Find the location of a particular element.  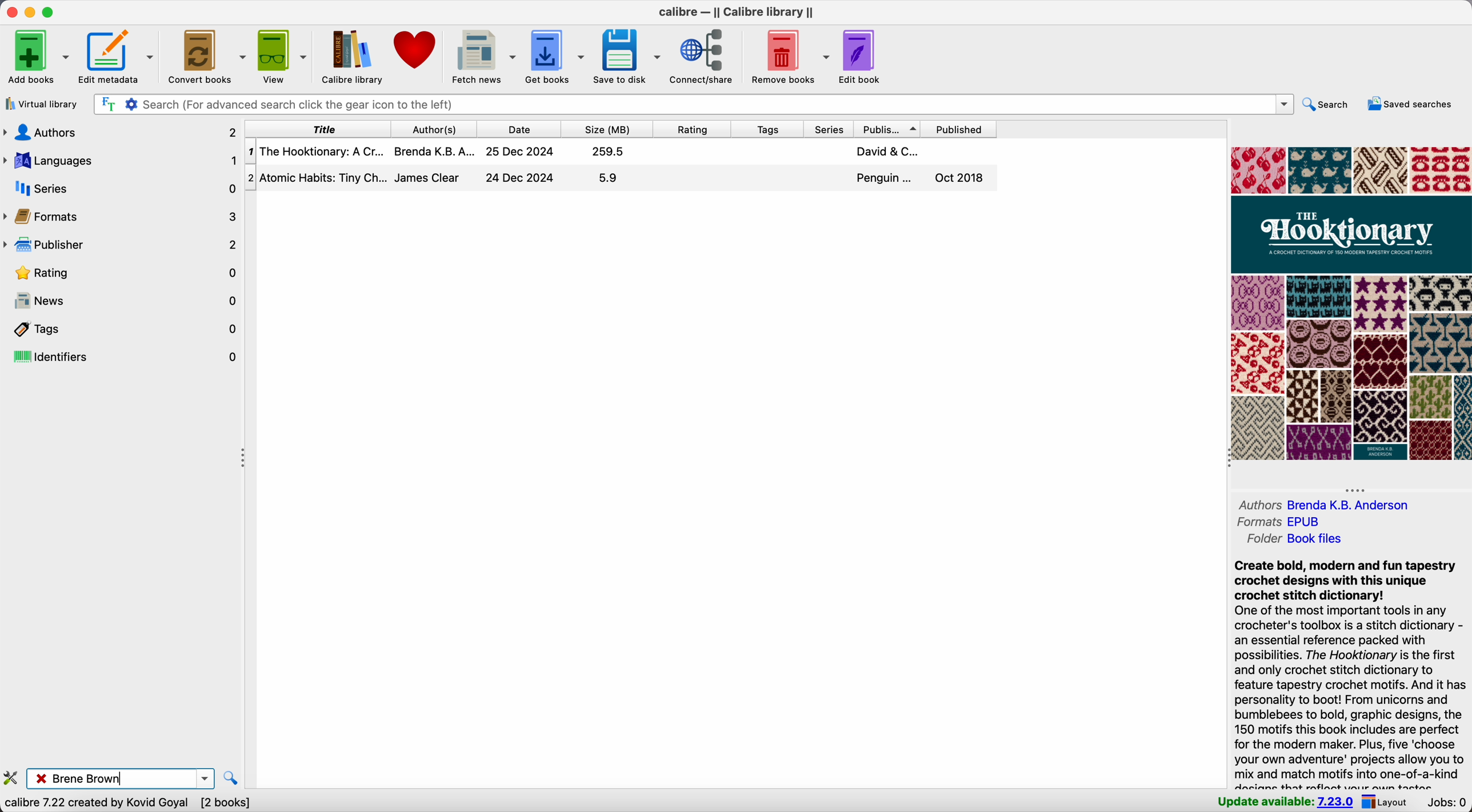

authors is located at coordinates (119, 131).